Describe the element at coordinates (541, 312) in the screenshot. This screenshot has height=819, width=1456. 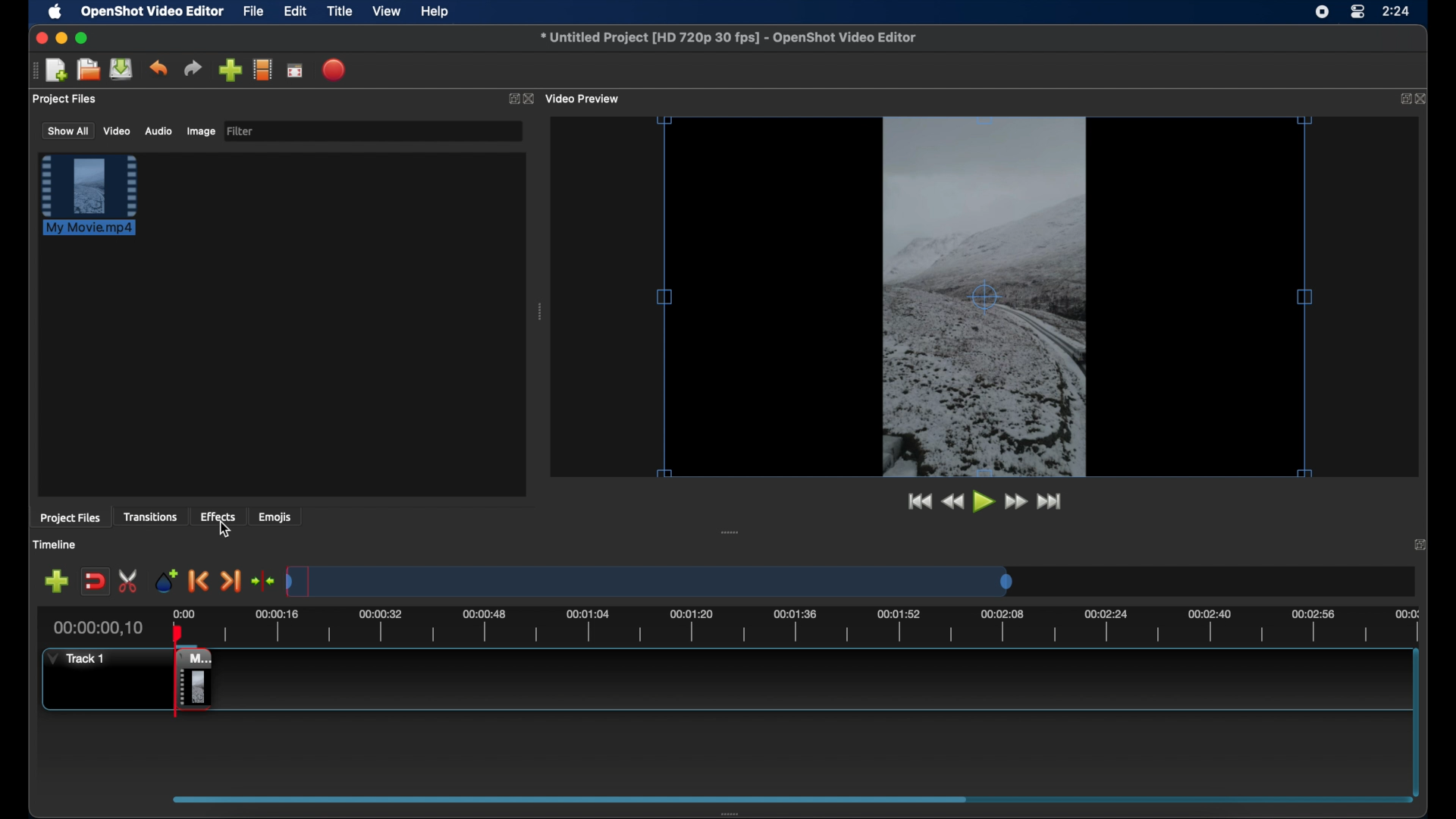
I see `drag handle` at that location.